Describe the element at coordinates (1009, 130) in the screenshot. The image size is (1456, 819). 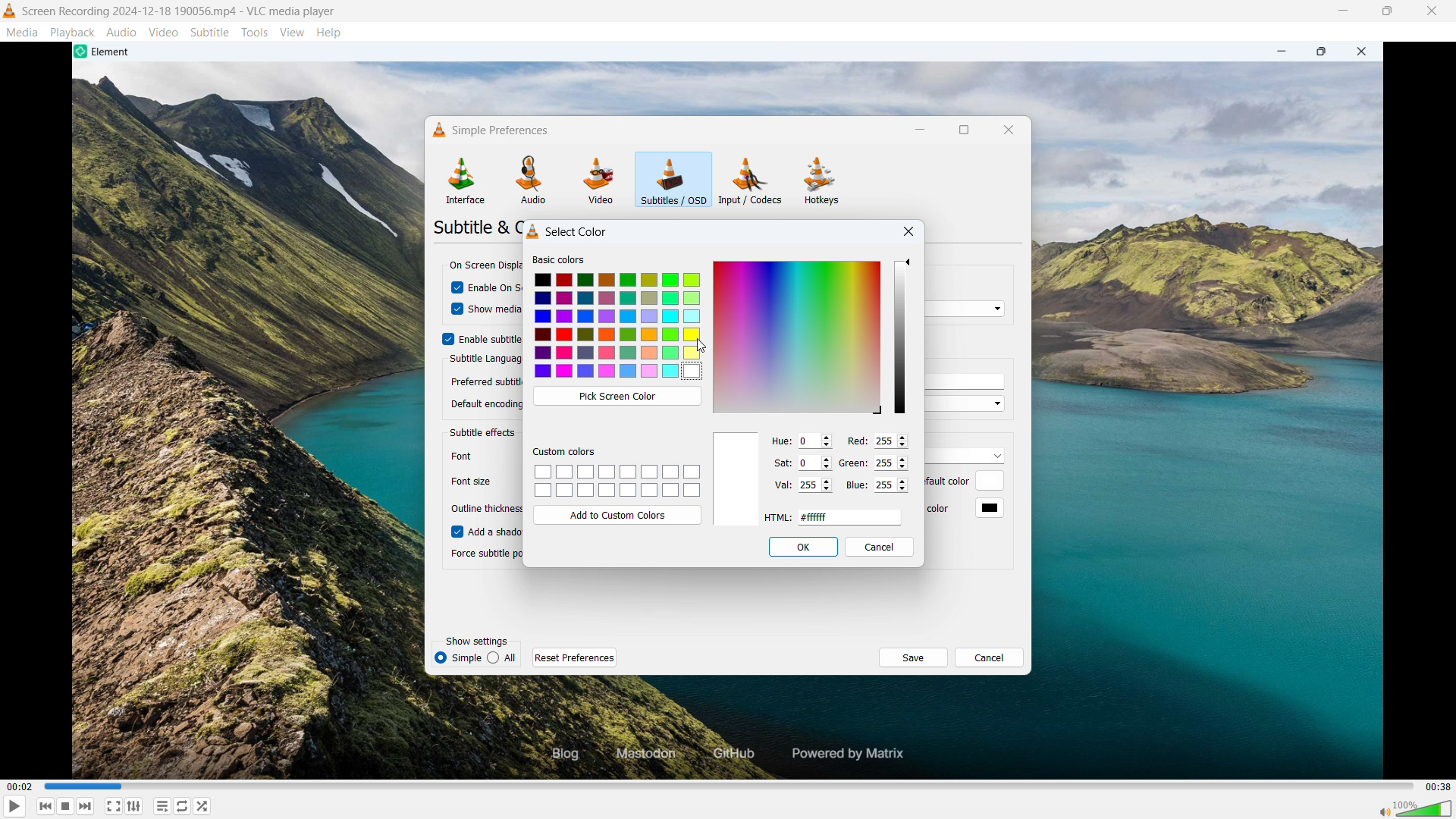
I see `Close dialogue box ` at that location.